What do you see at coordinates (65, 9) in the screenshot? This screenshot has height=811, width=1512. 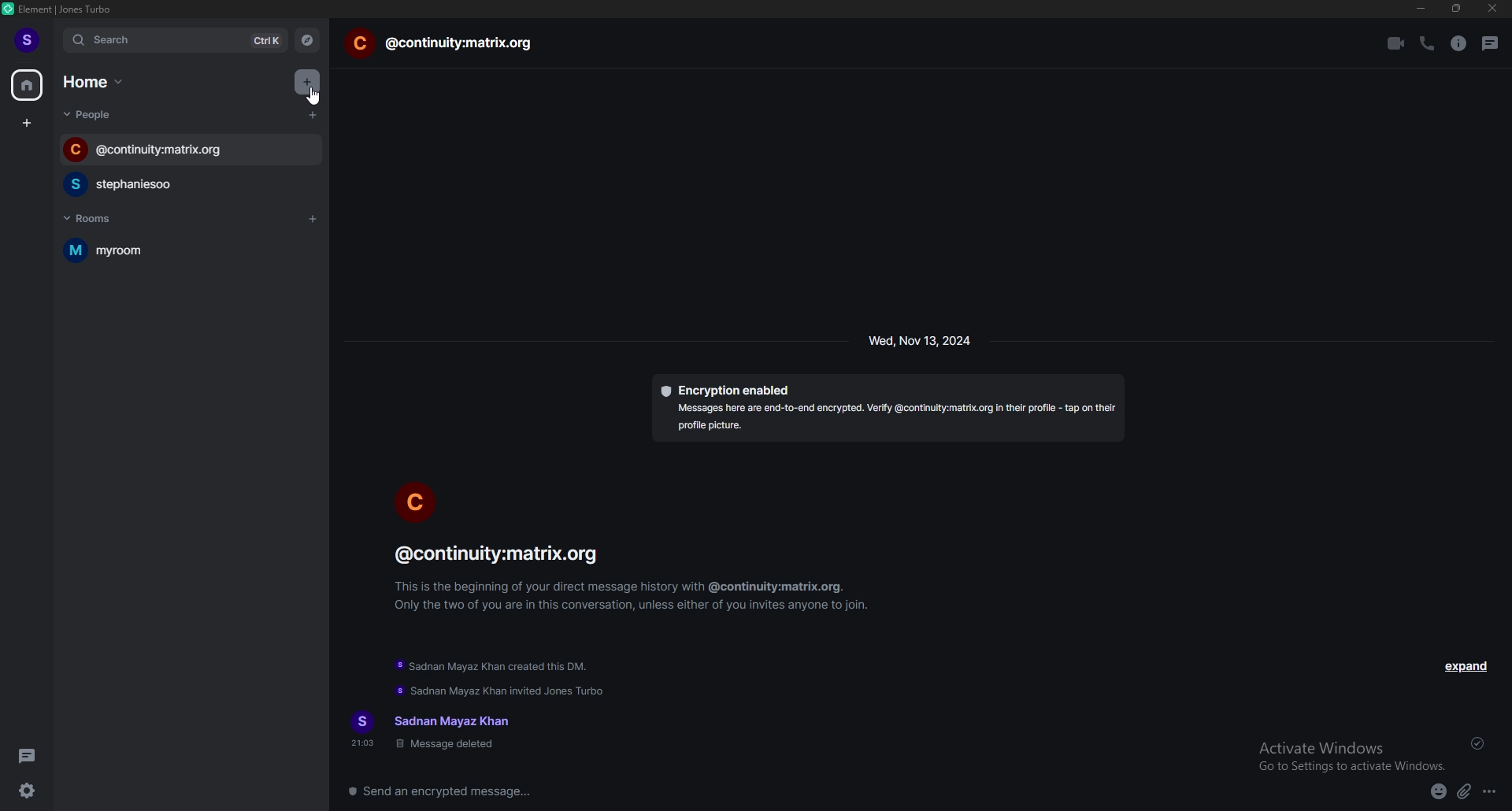 I see `element` at bounding box center [65, 9].